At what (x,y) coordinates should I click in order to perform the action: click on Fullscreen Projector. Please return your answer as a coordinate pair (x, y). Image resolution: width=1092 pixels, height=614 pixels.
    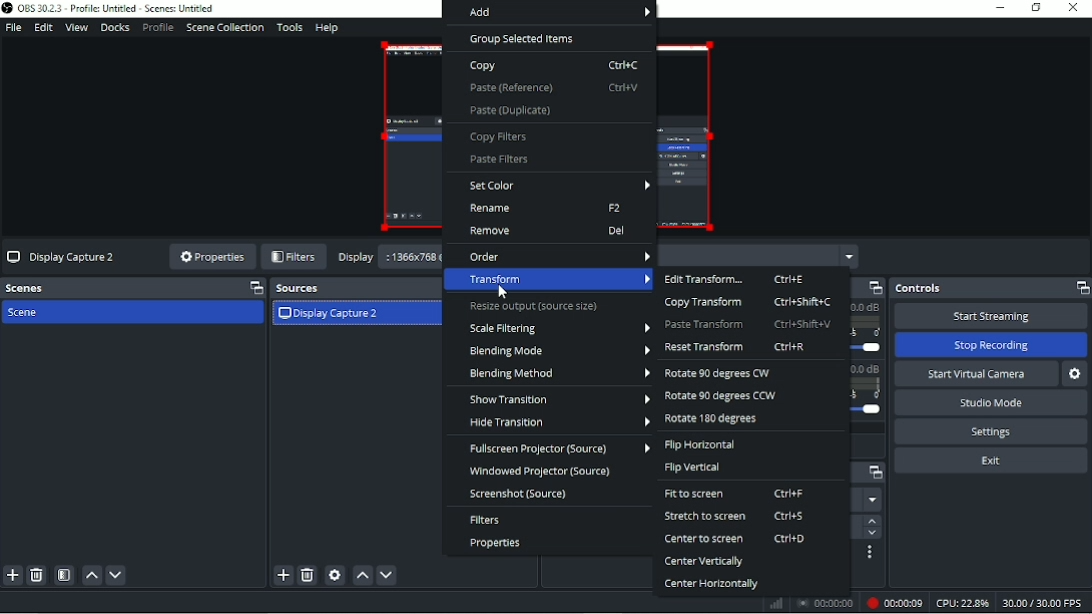
    Looking at the image, I should click on (558, 448).